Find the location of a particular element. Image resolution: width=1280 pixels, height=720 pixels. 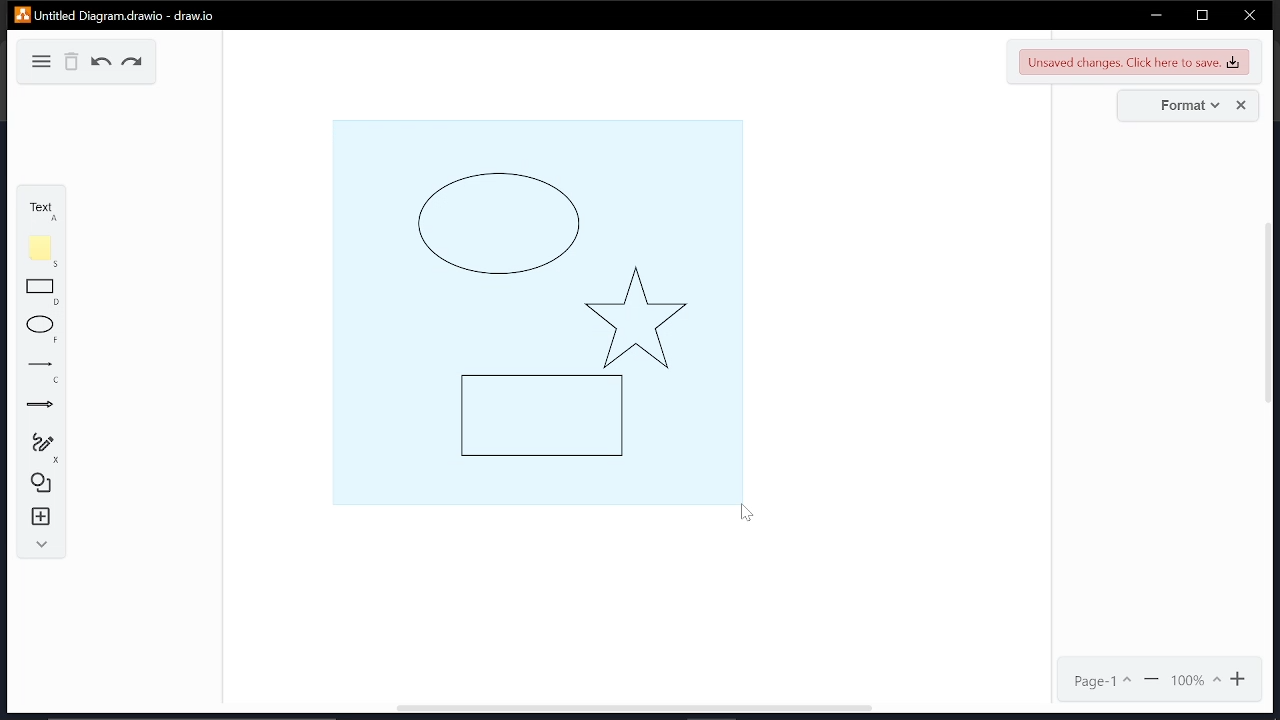

text is located at coordinates (38, 209).